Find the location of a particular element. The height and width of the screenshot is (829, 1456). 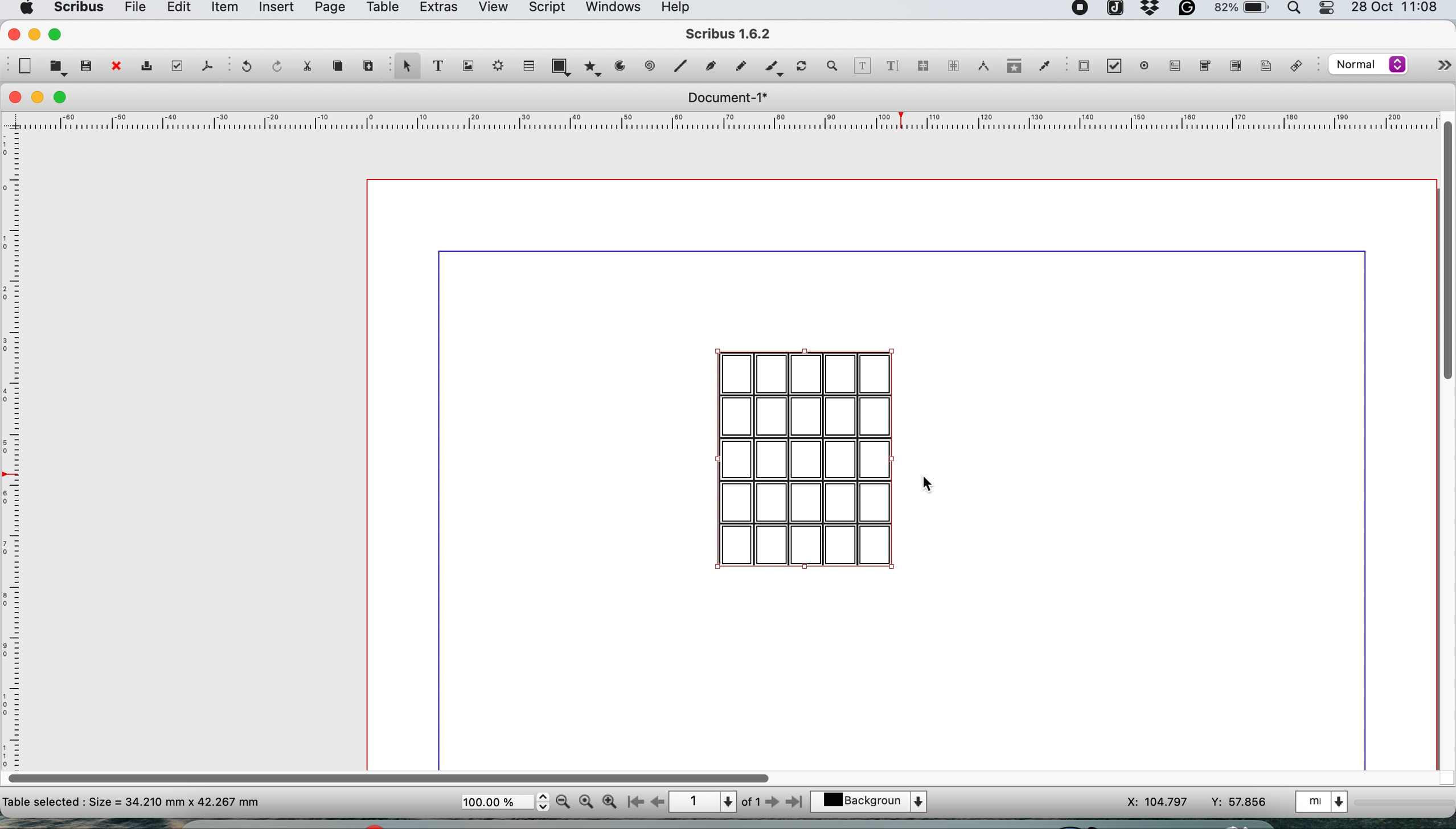

text annotation is located at coordinates (1264, 65).